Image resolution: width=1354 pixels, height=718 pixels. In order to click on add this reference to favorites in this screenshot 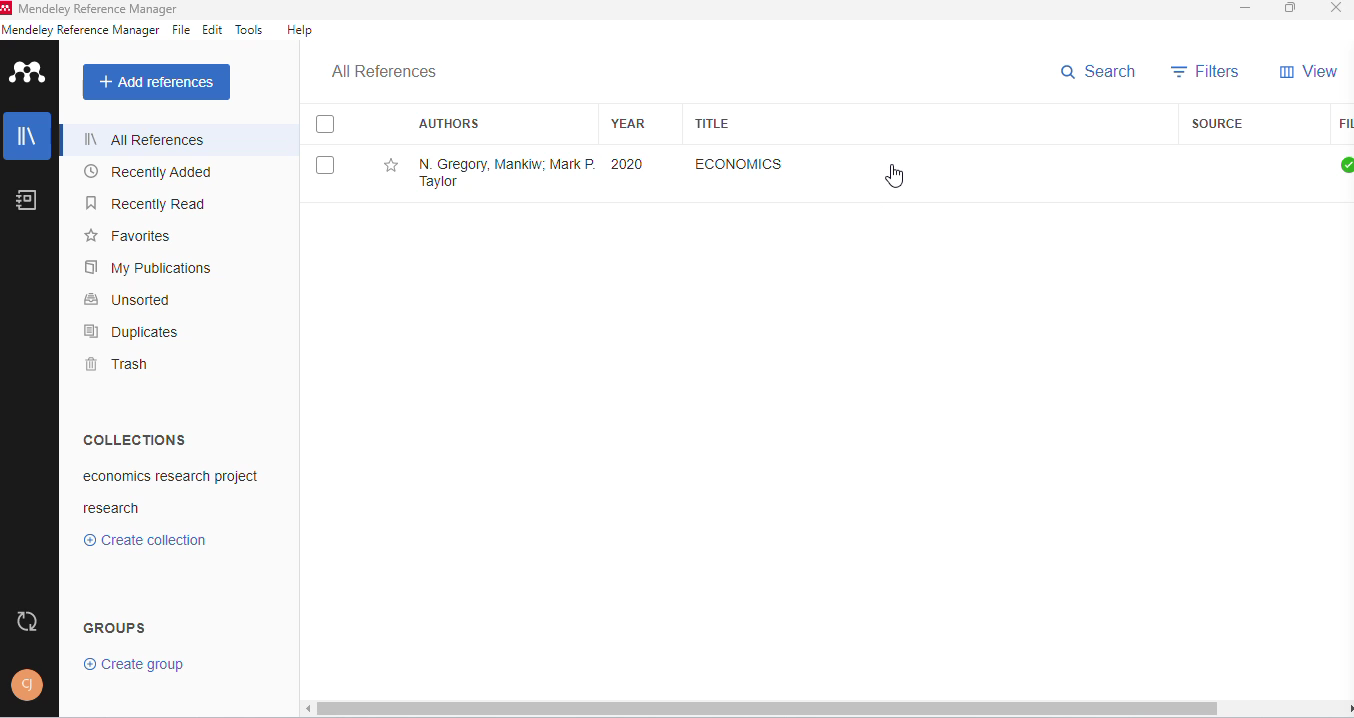, I will do `click(392, 166)`.